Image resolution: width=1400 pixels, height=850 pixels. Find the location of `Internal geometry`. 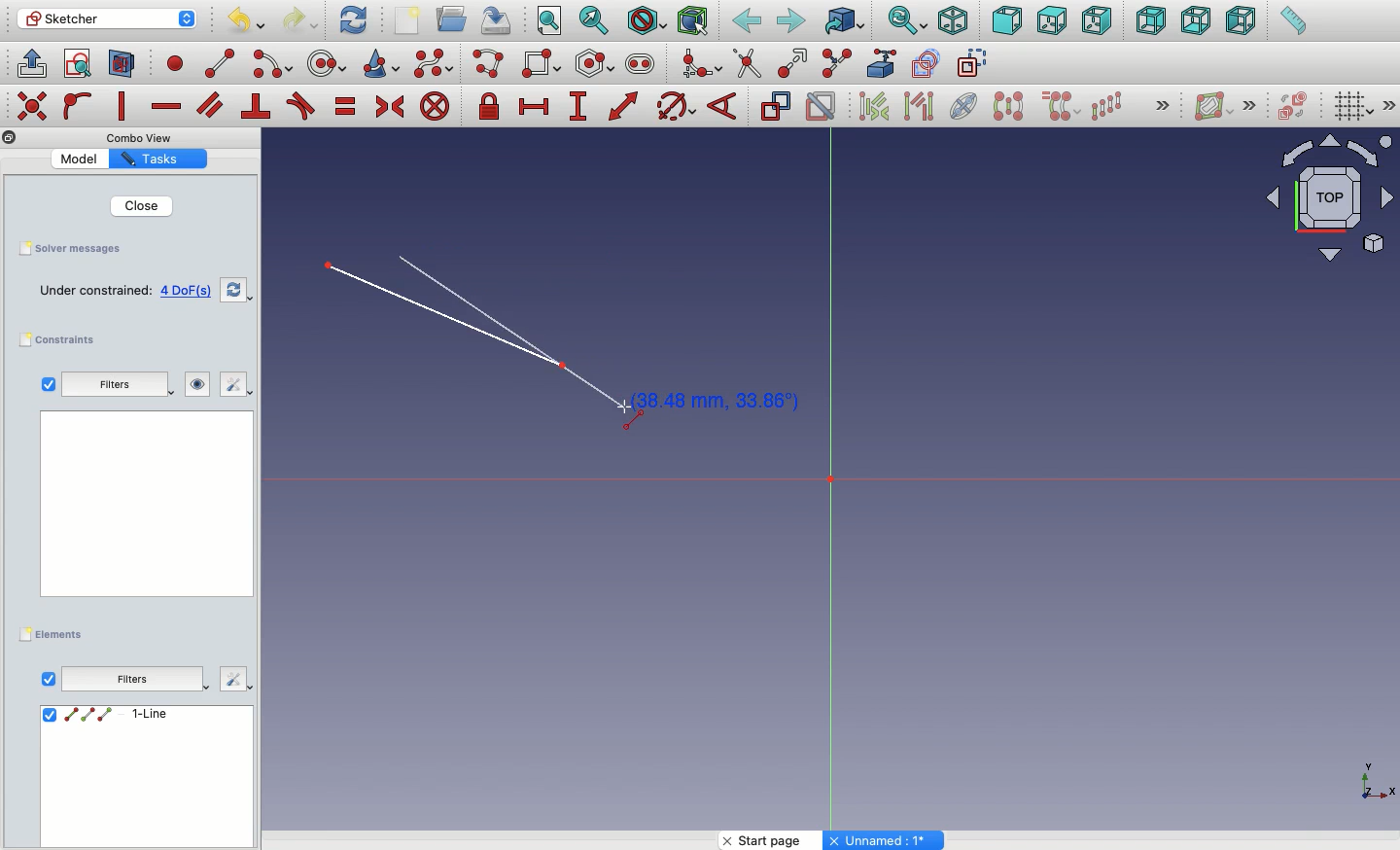

Internal geometry is located at coordinates (965, 105).